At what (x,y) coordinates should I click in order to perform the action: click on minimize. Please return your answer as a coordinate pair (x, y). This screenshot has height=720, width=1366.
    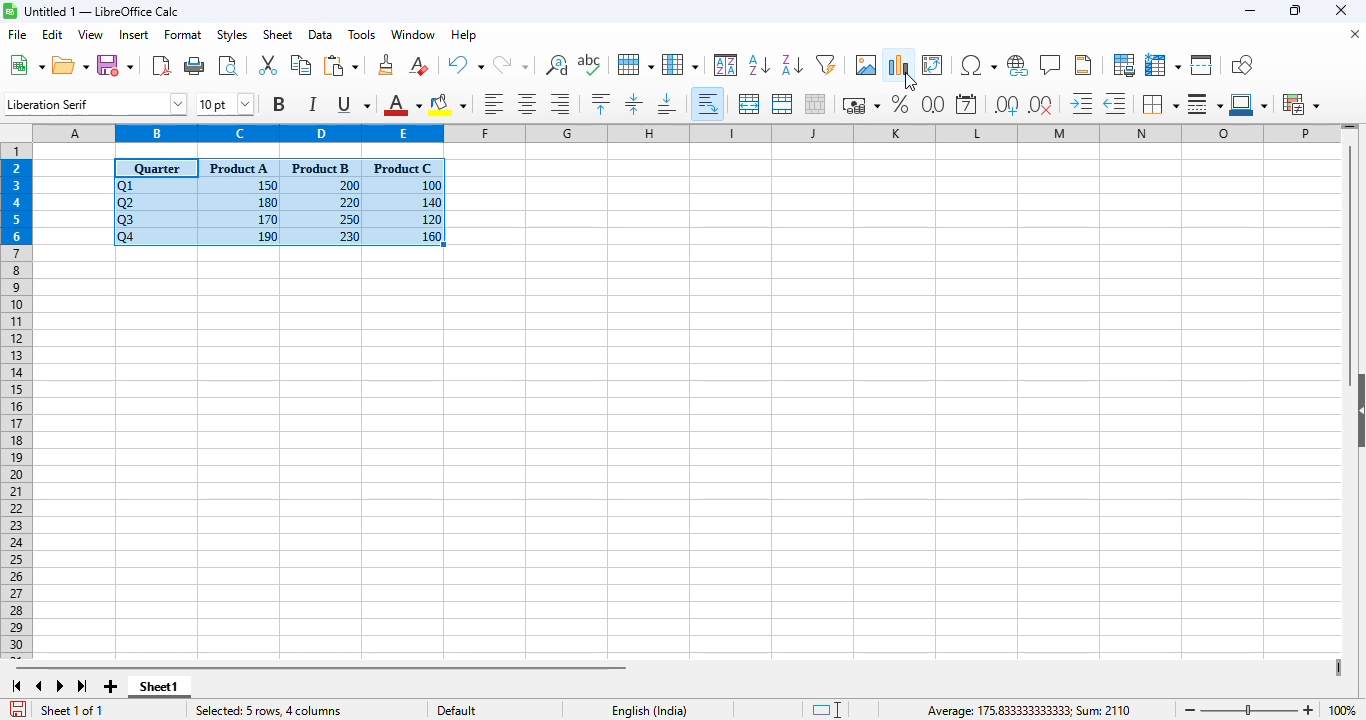
    Looking at the image, I should click on (1251, 12).